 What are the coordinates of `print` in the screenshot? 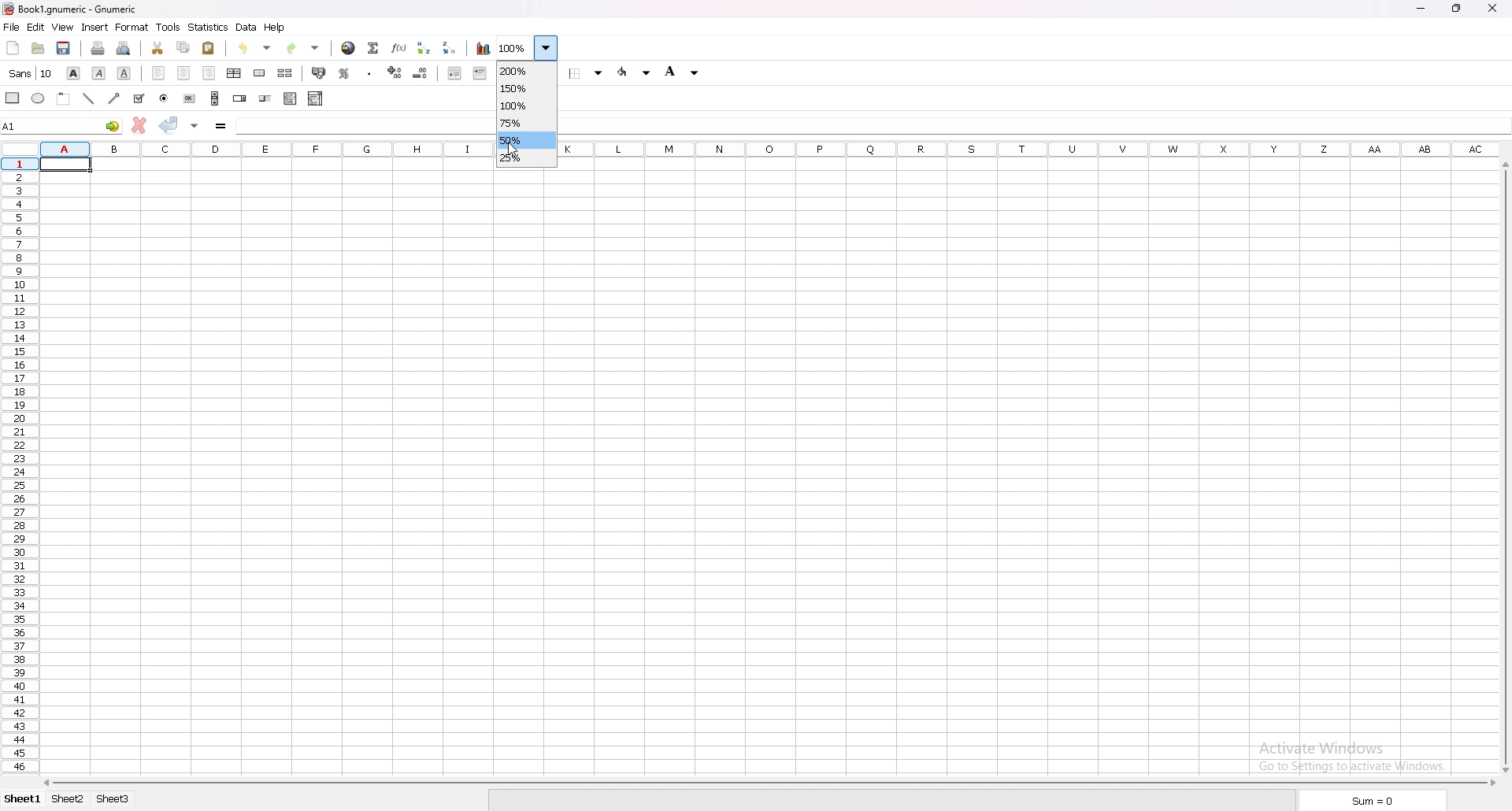 It's located at (98, 48).